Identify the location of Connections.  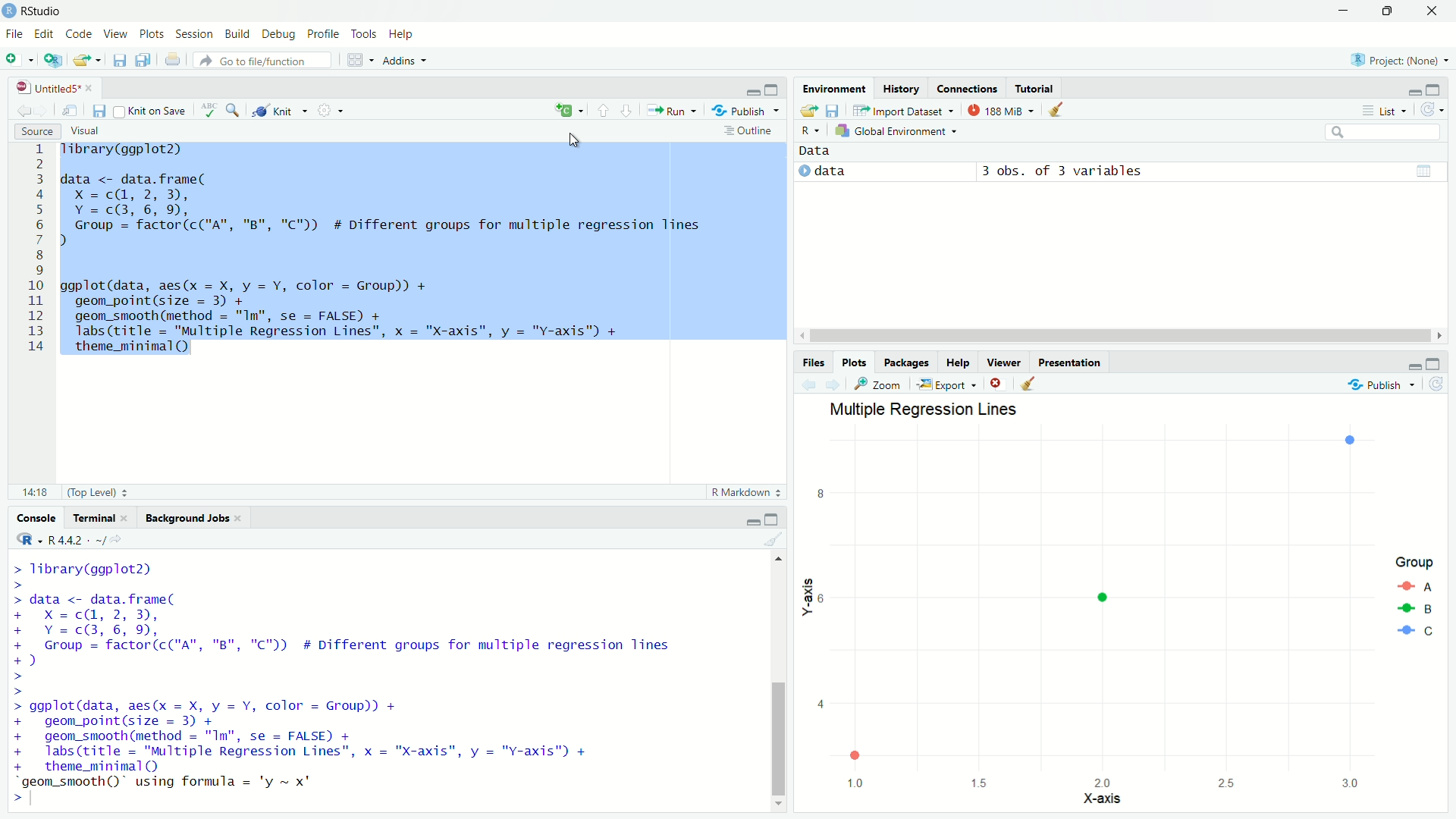
(968, 90).